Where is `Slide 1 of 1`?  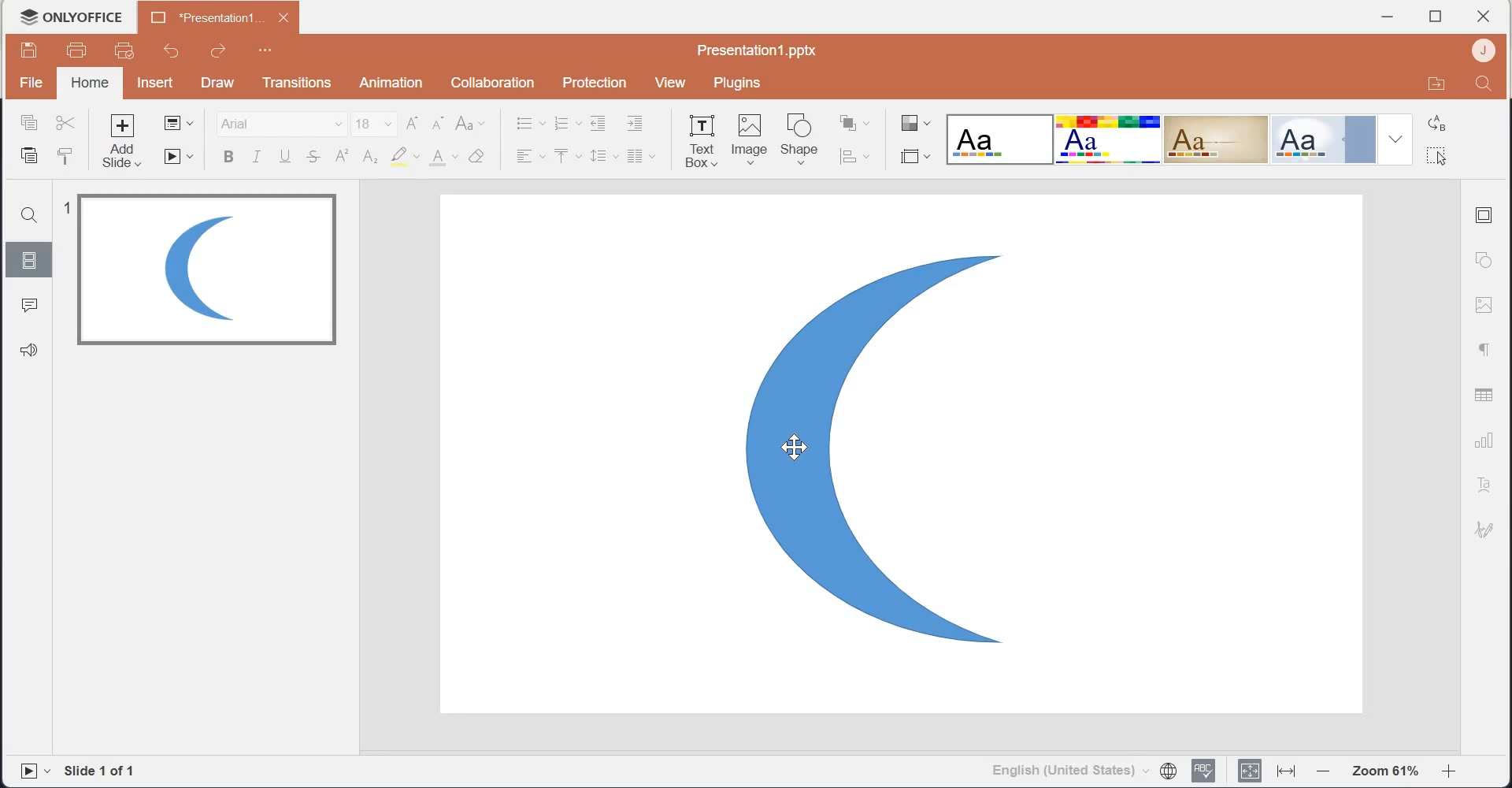
Slide 1 of 1 is located at coordinates (105, 771).